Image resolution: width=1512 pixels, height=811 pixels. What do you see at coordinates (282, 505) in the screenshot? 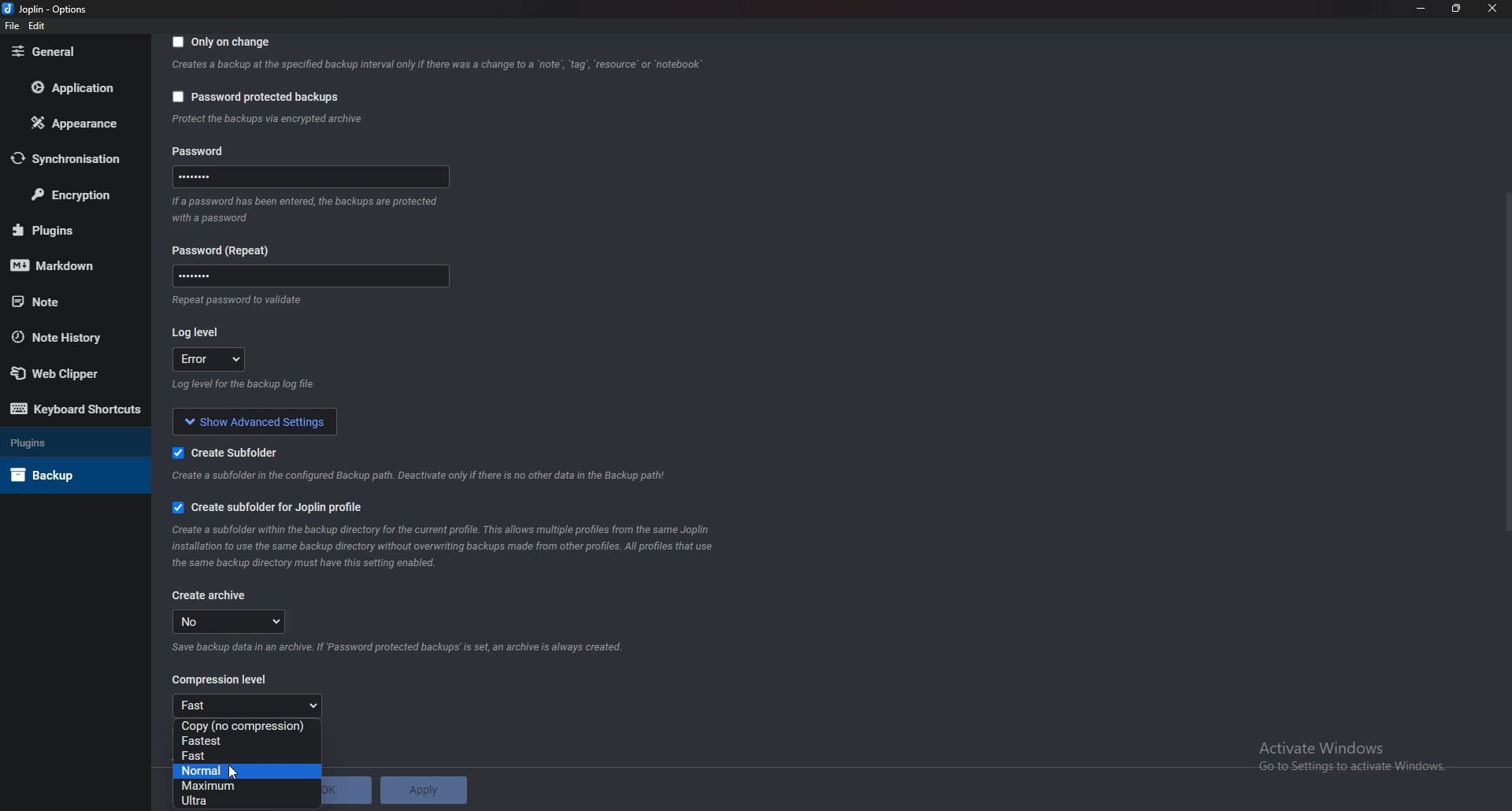
I see `Create subfolder for joplin profile` at bounding box center [282, 505].